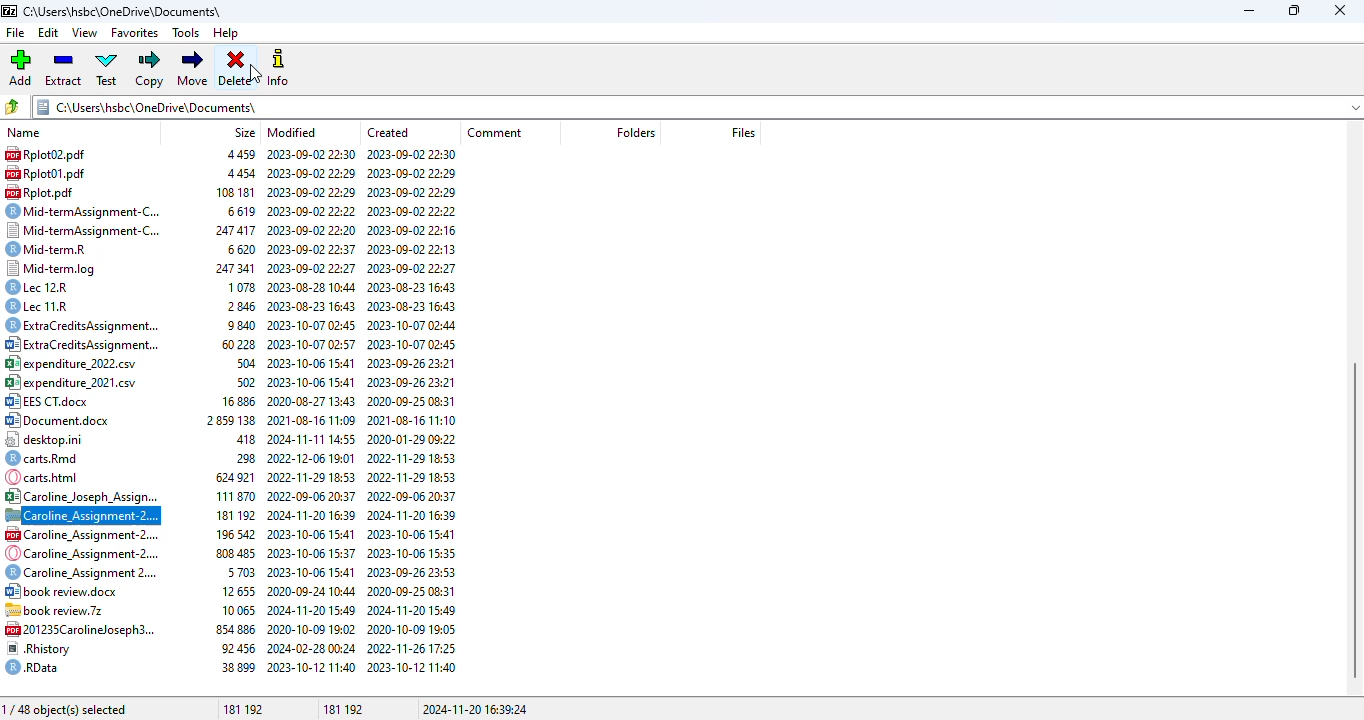  I want to click on file, so click(15, 34).